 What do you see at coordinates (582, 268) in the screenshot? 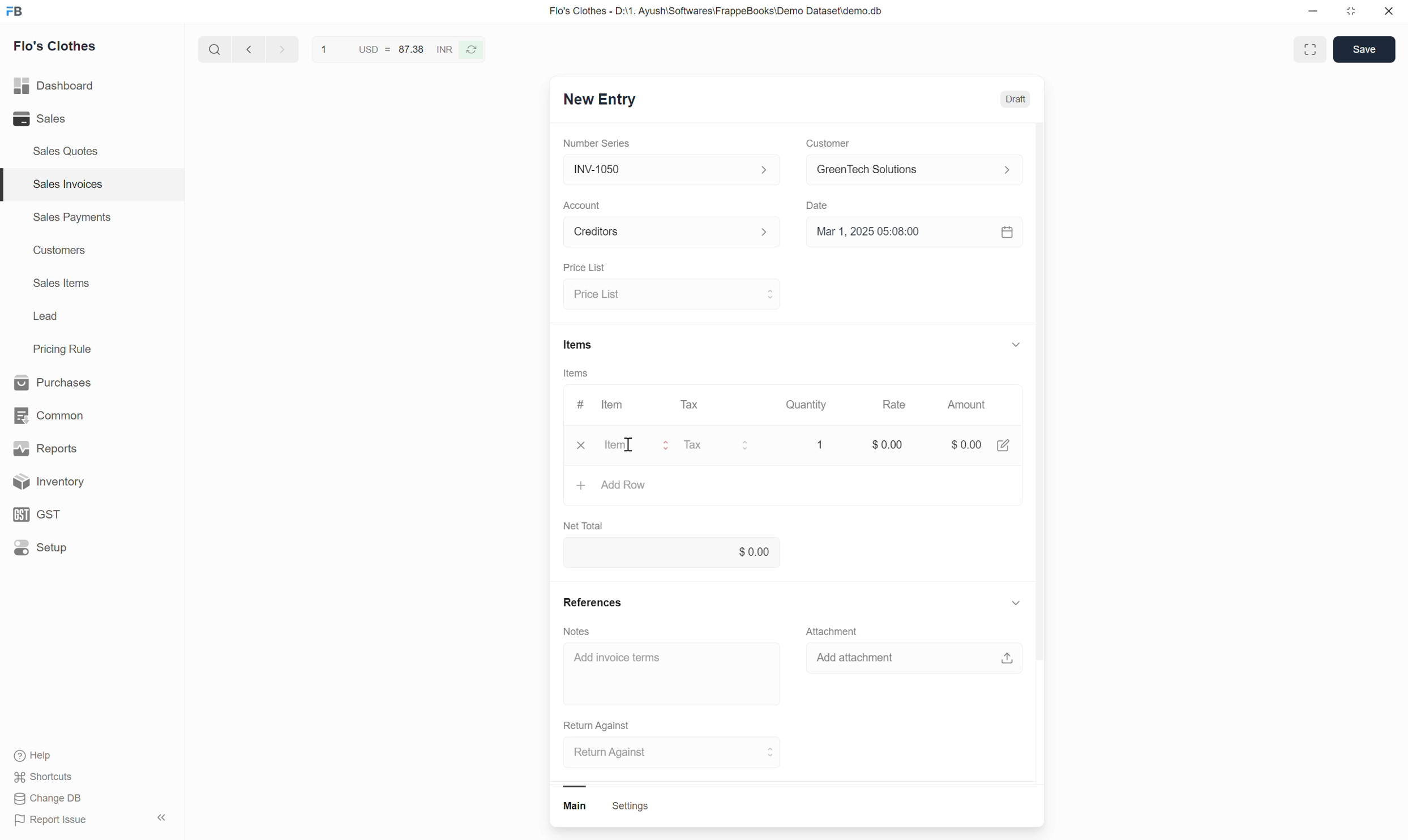
I see `Price List` at bounding box center [582, 268].